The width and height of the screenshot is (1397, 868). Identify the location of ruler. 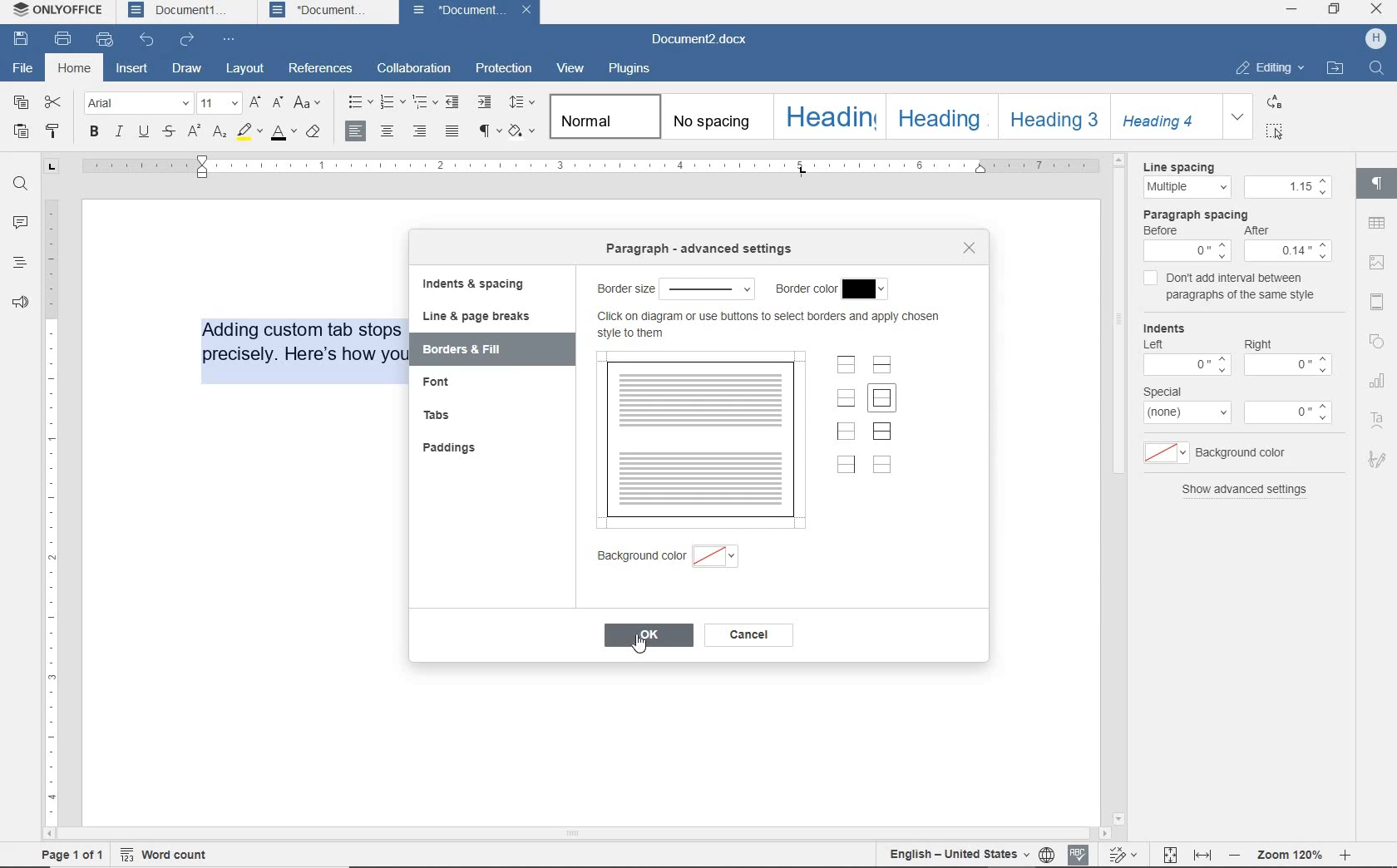
(615, 163).